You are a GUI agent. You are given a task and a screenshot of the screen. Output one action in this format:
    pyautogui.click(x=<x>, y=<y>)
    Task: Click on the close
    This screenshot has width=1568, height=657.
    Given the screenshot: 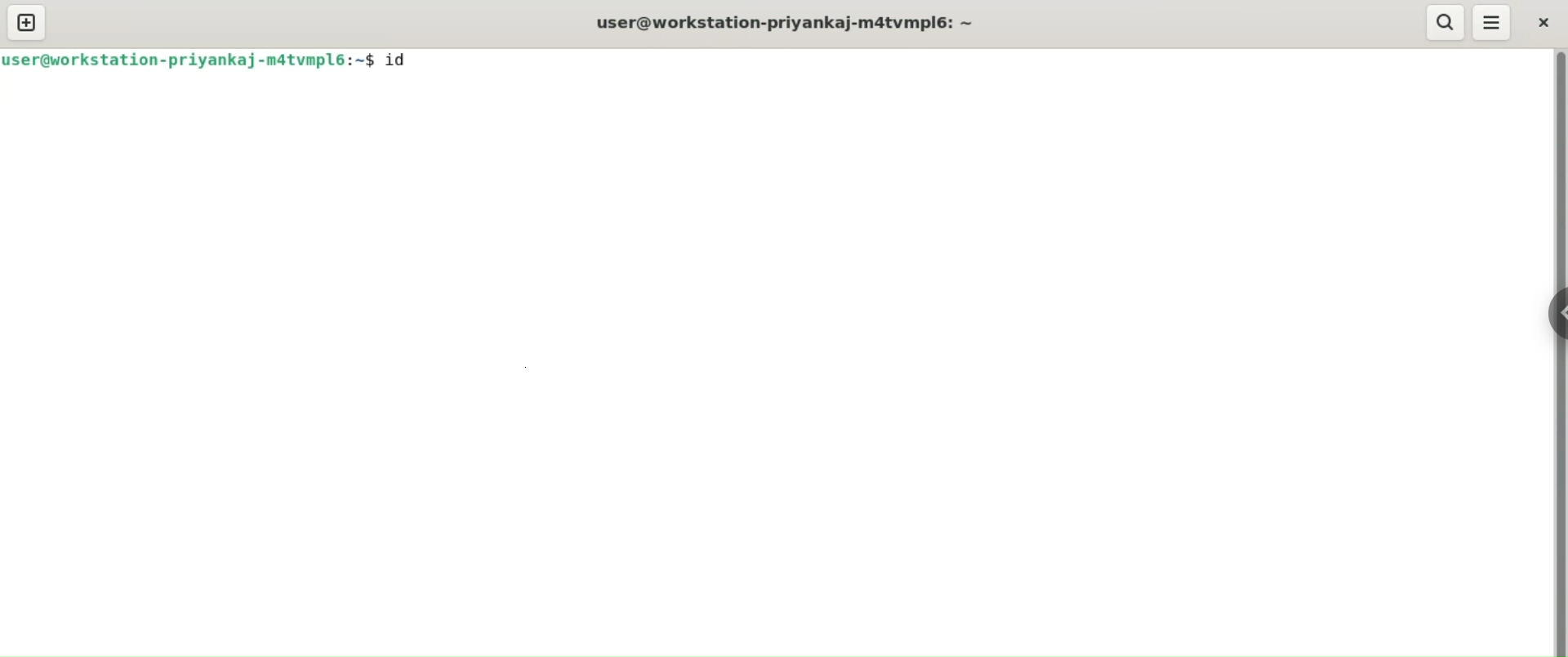 What is the action you would take?
    pyautogui.click(x=1546, y=23)
    